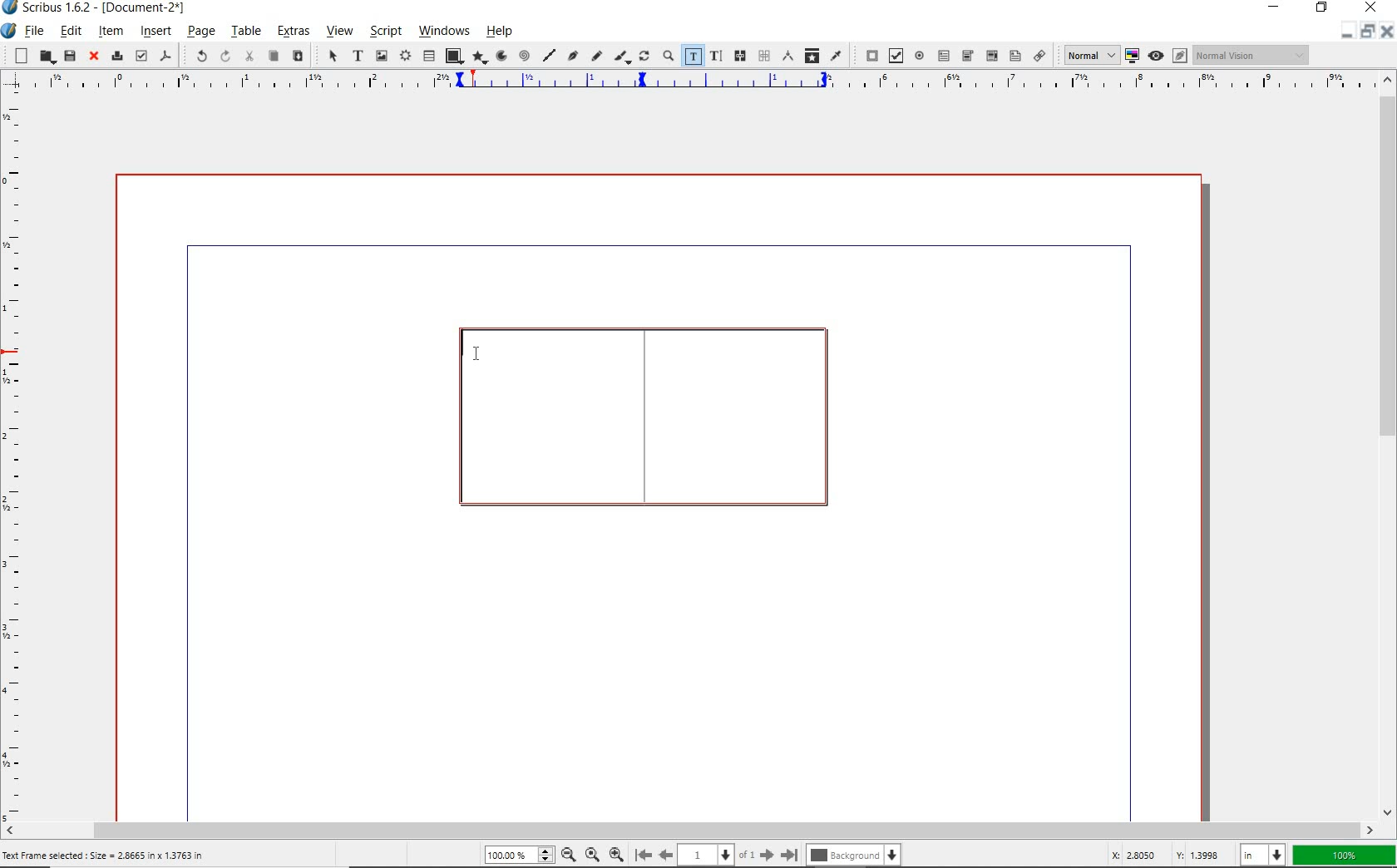 The height and width of the screenshot is (868, 1397). Describe the element at coordinates (550, 55) in the screenshot. I see `line` at that location.